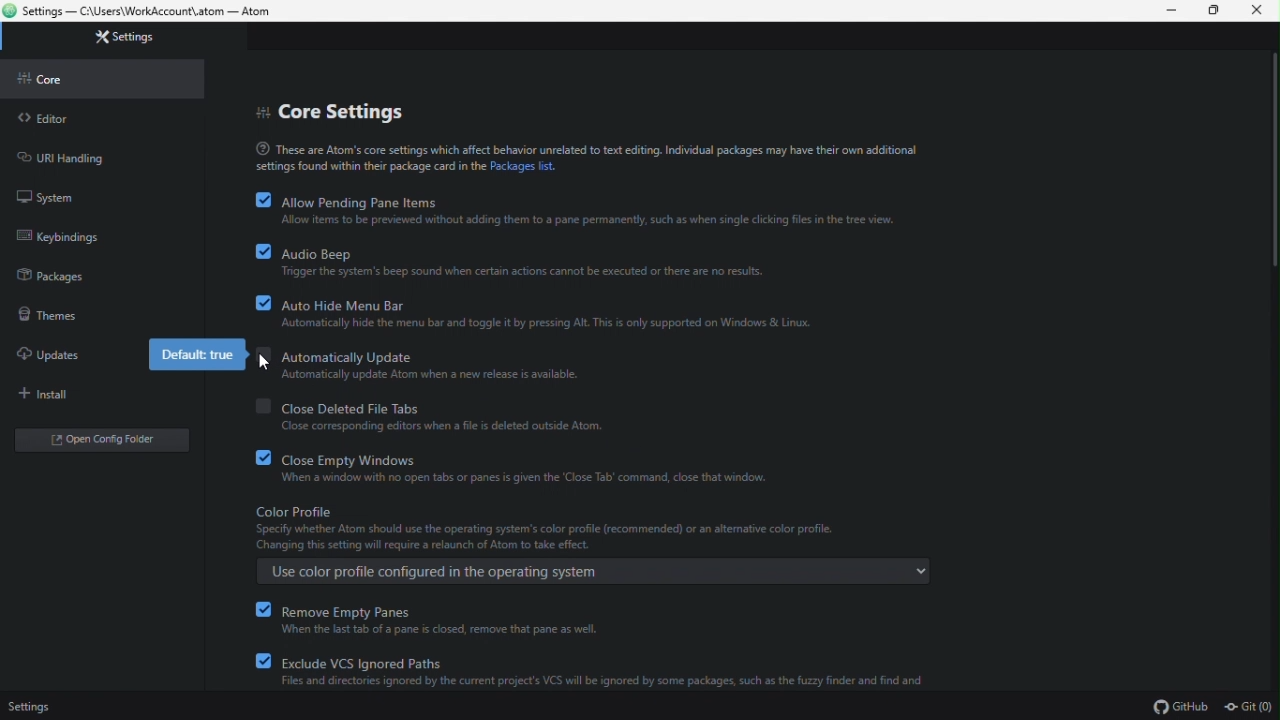 The width and height of the screenshot is (1280, 720). Describe the element at coordinates (52, 277) in the screenshot. I see `packages` at that location.